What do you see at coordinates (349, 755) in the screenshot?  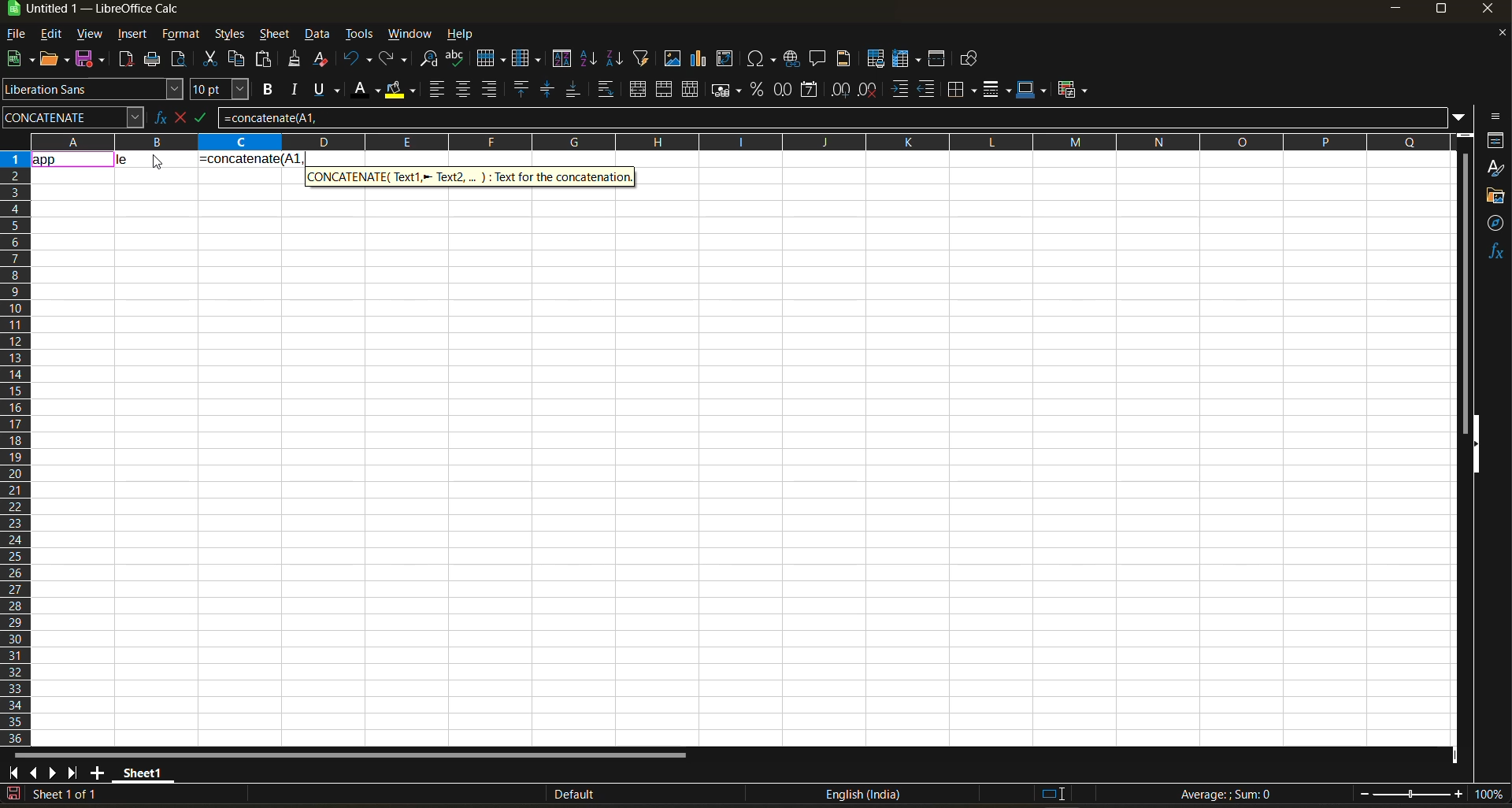 I see `horizontal scroll bar` at bounding box center [349, 755].